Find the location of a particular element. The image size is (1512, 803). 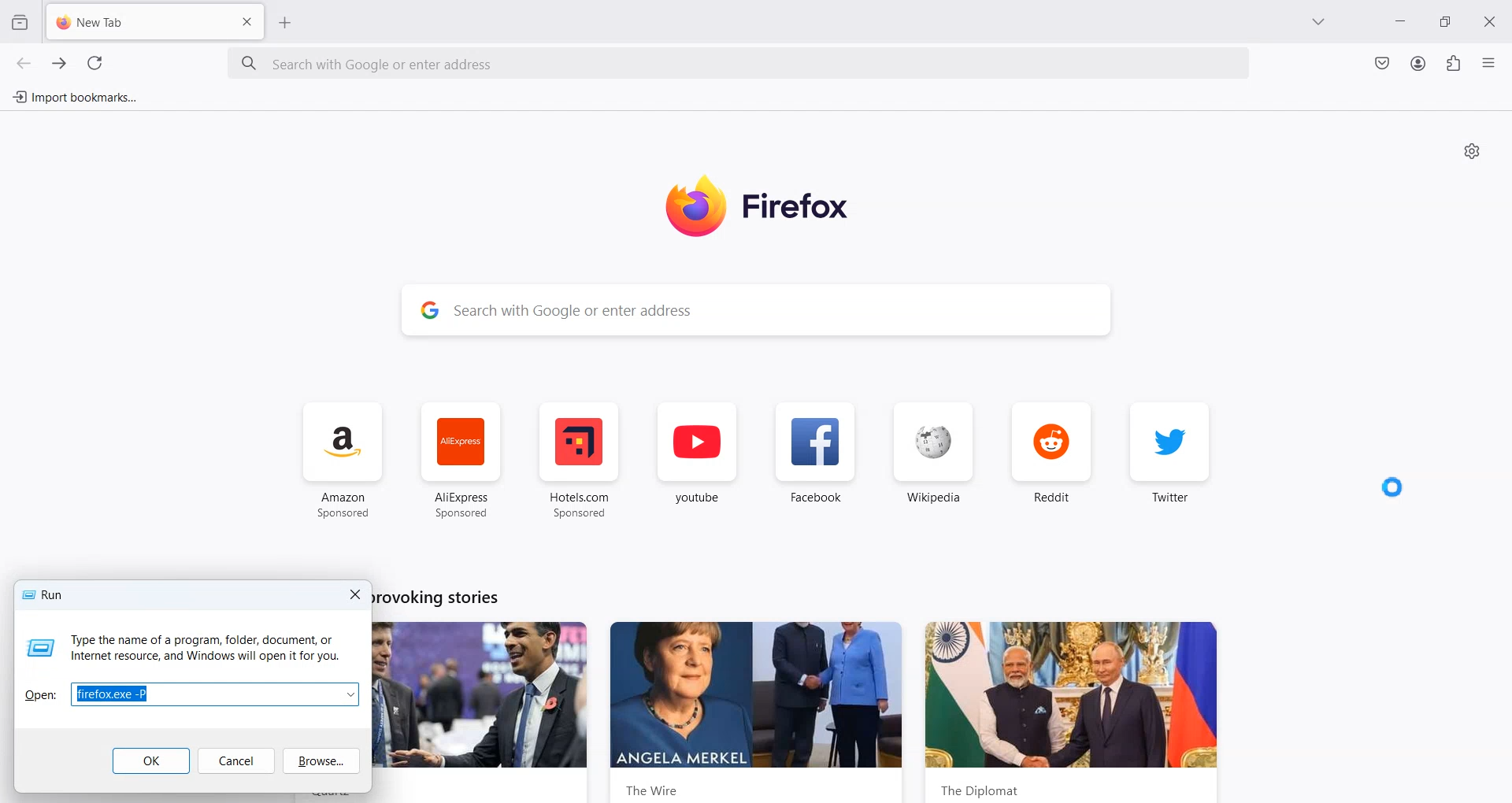

Twitter is located at coordinates (1170, 461).